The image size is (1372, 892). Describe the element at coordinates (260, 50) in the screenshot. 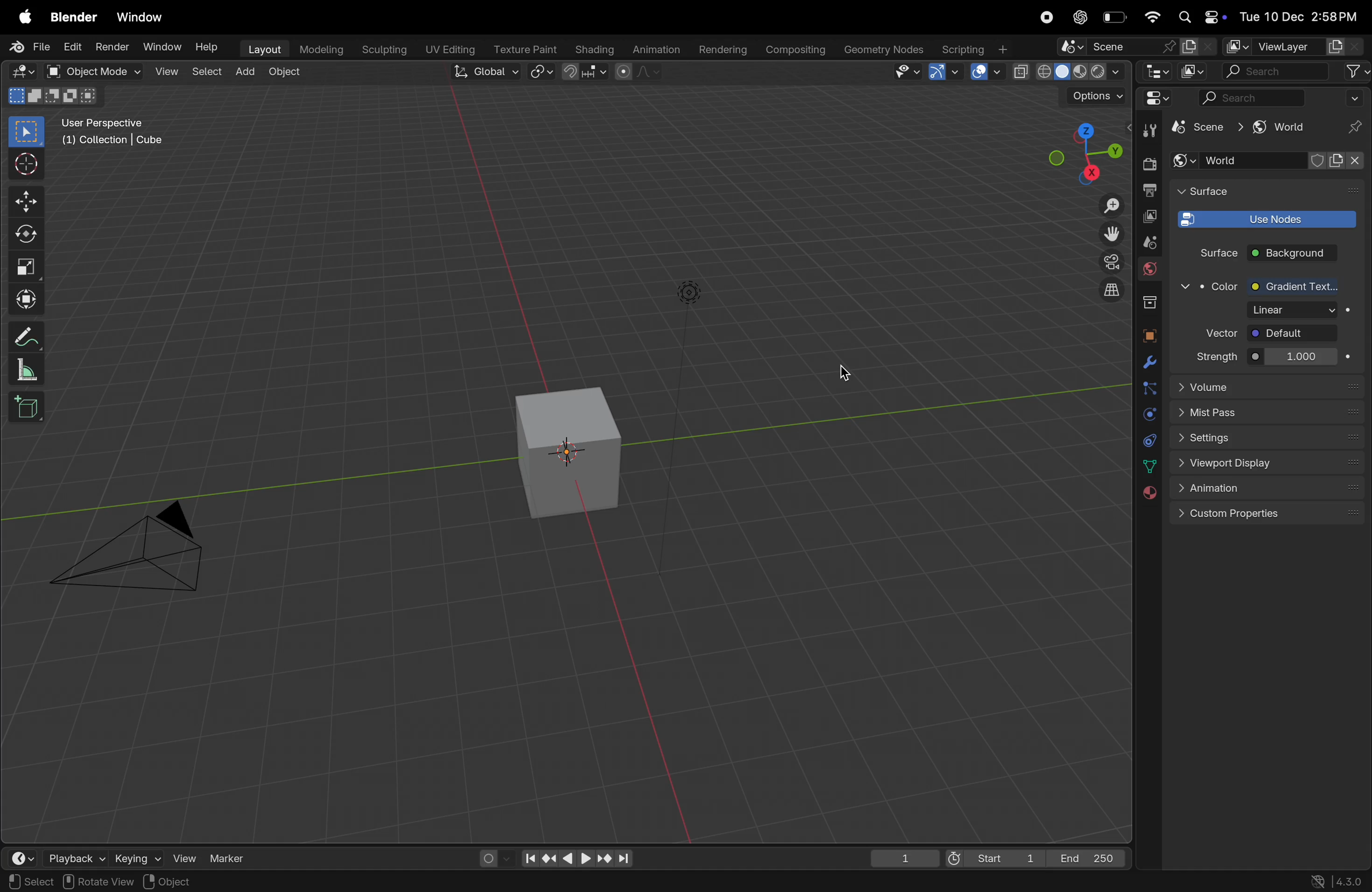

I see `layout` at that location.